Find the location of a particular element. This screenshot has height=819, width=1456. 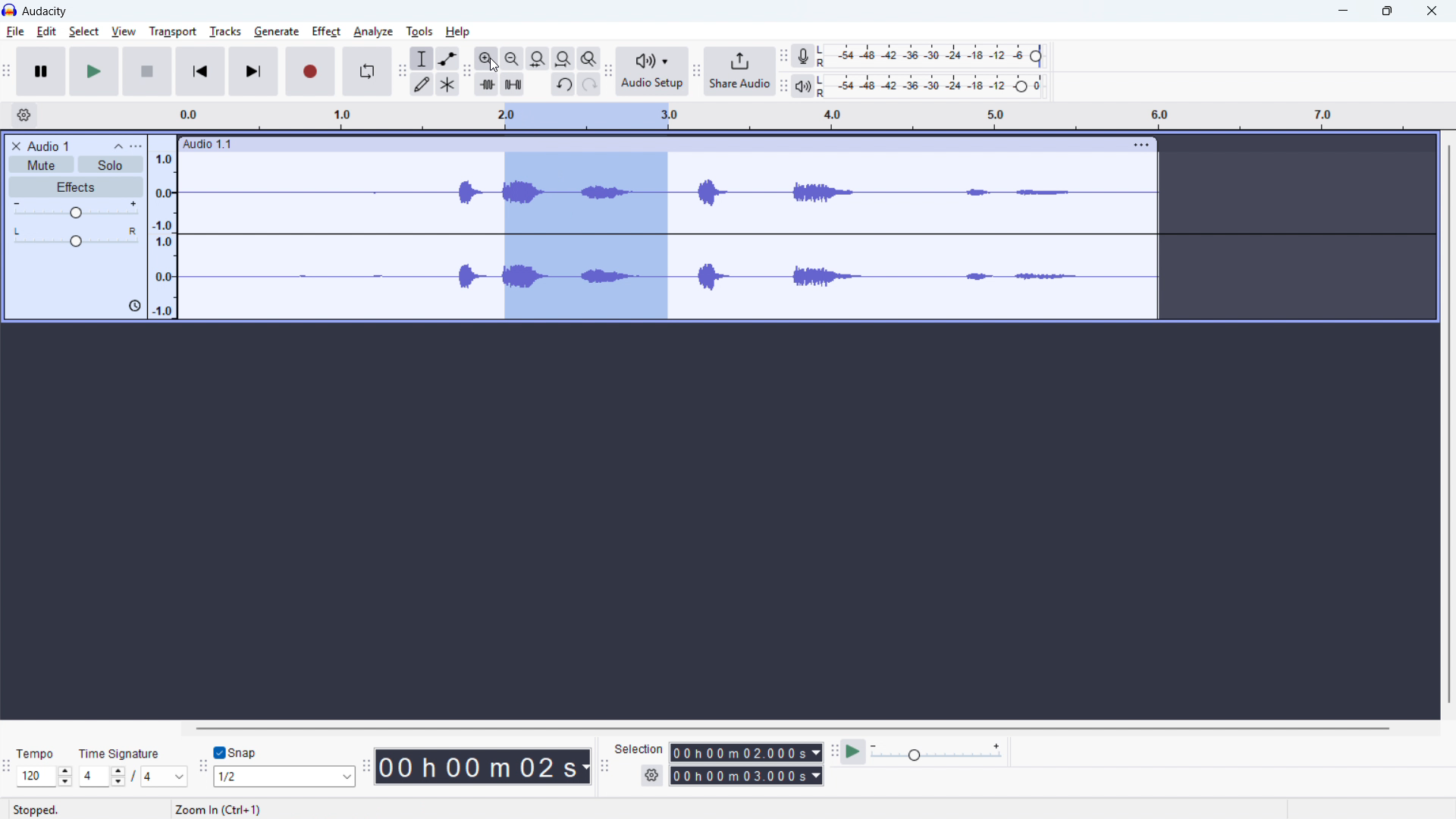

Skip to last is located at coordinates (254, 72).